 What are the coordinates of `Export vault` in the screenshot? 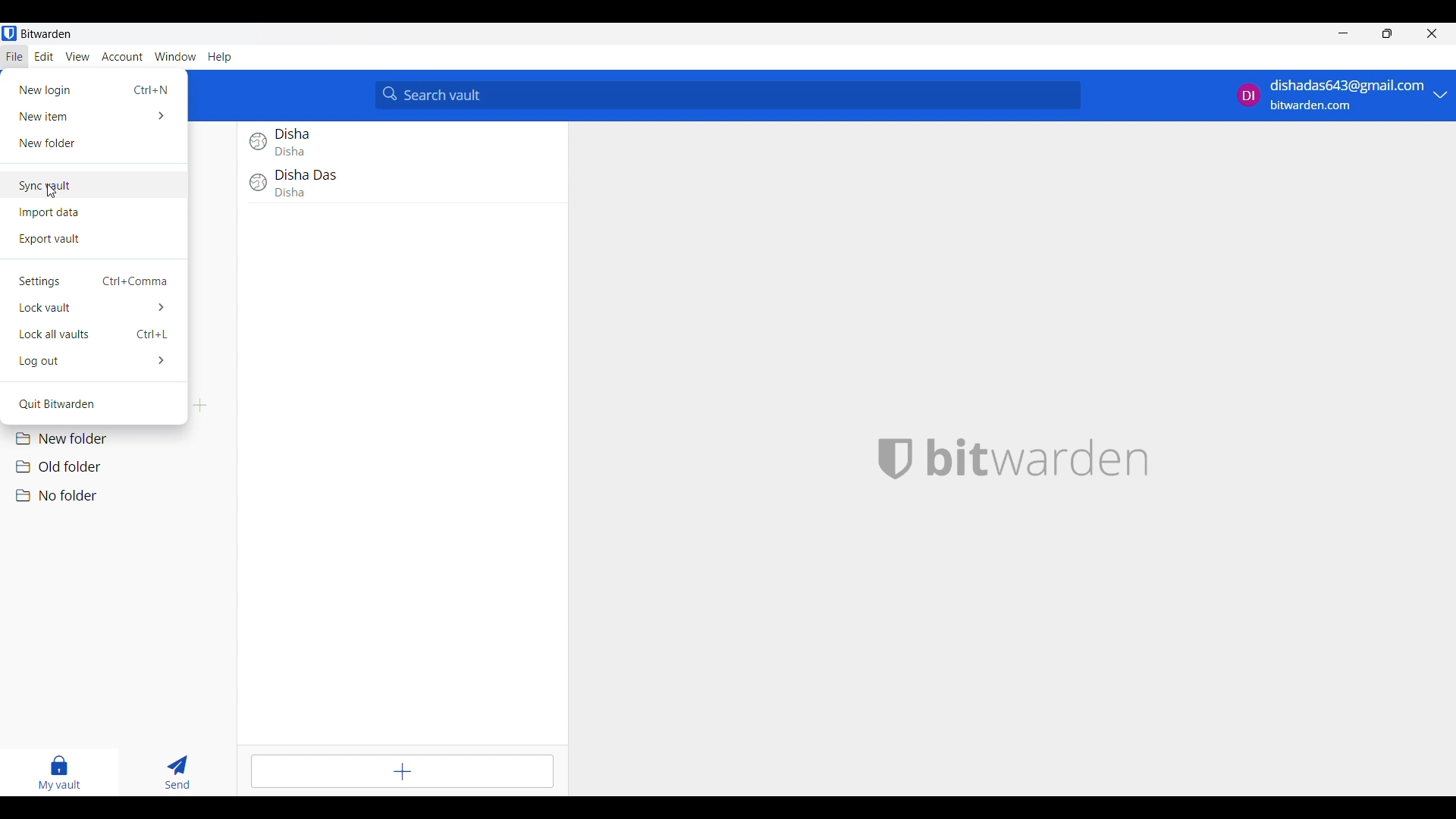 It's located at (94, 240).